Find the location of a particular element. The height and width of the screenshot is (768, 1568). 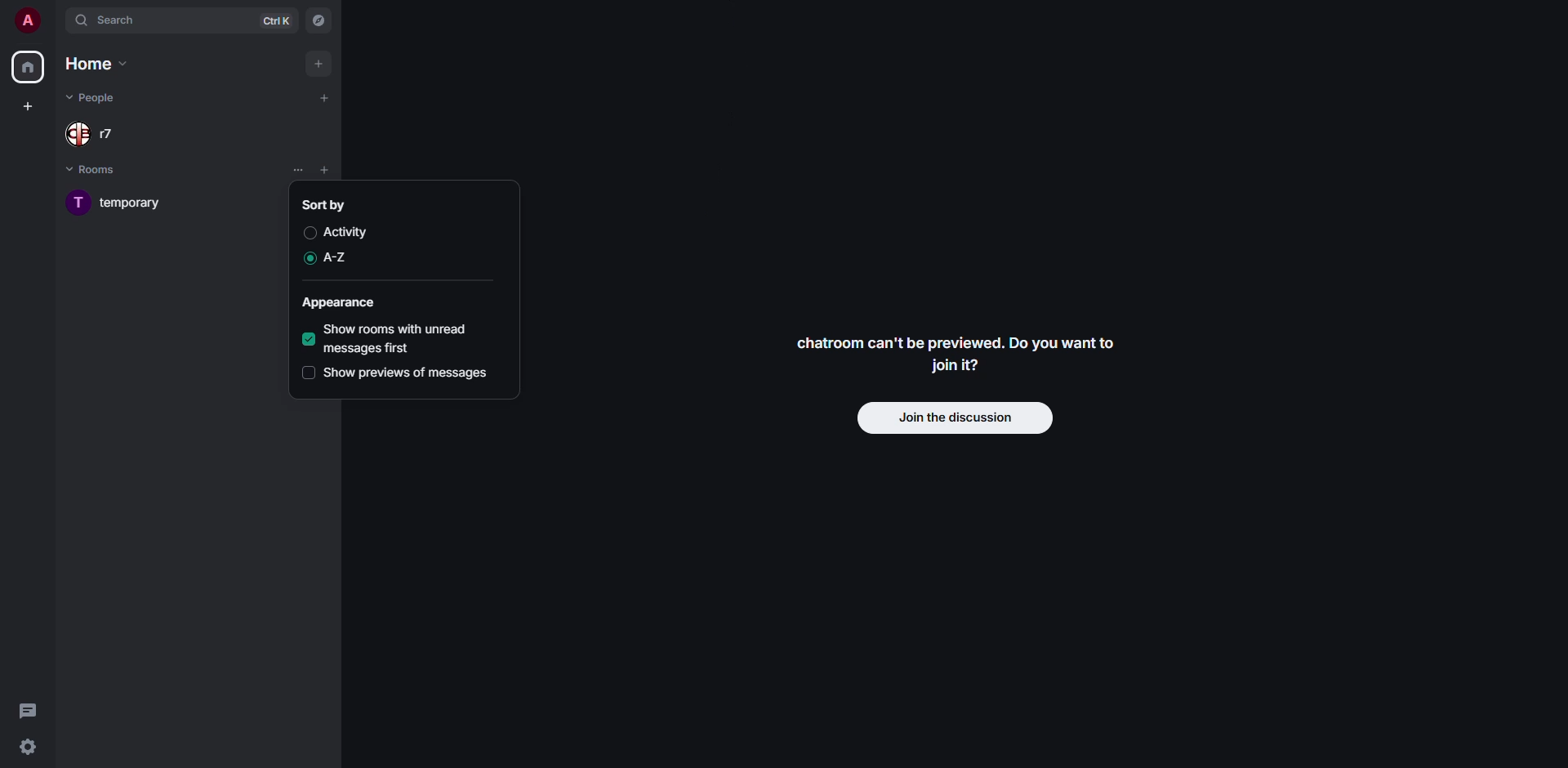

people is located at coordinates (96, 135).